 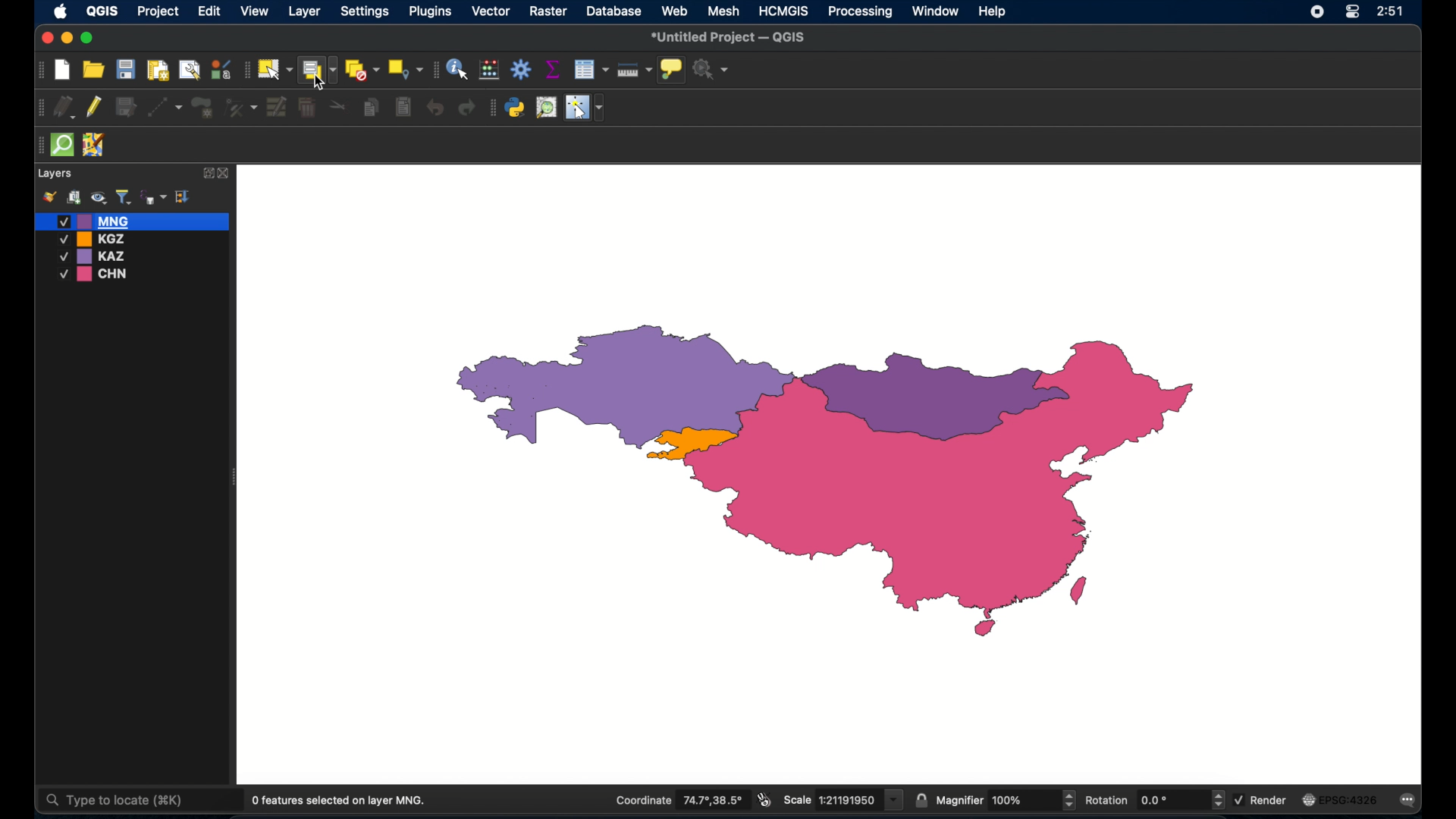 What do you see at coordinates (784, 11) in the screenshot?
I see `HCMGIS` at bounding box center [784, 11].